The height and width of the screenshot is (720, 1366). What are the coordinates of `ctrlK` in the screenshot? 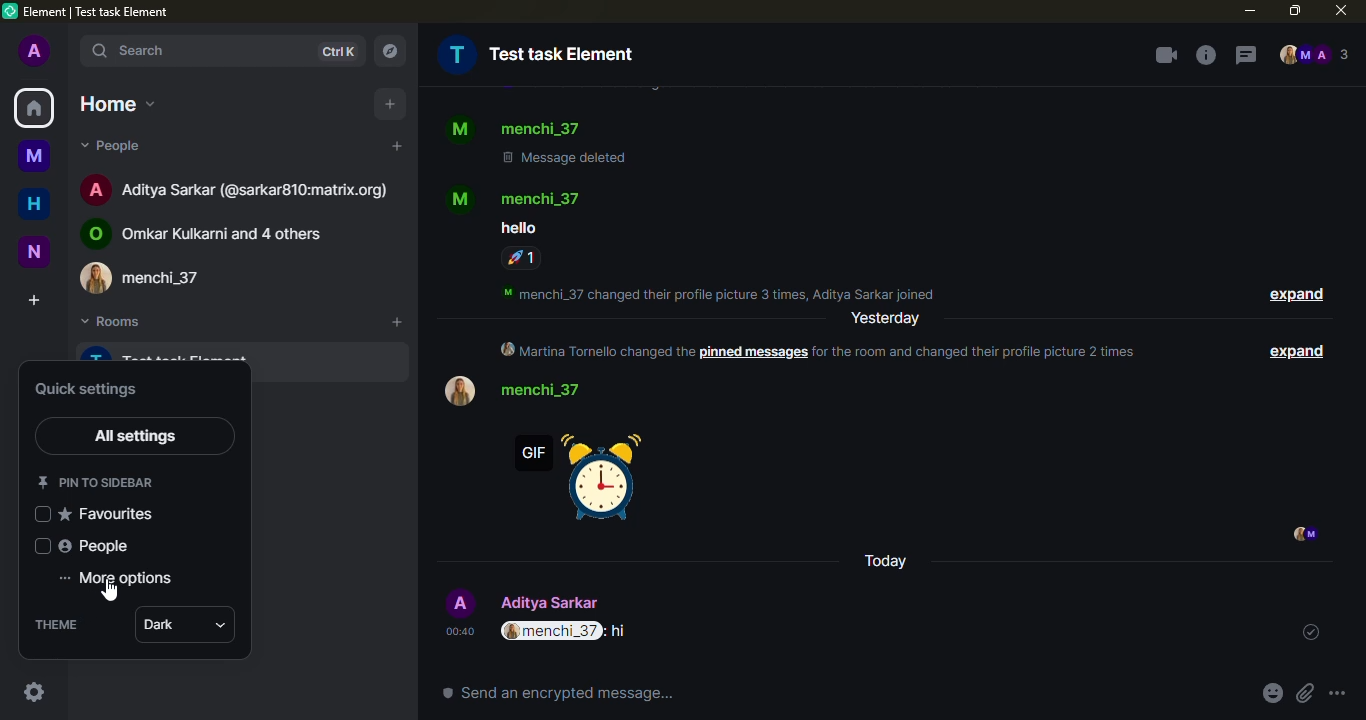 It's located at (335, 52).